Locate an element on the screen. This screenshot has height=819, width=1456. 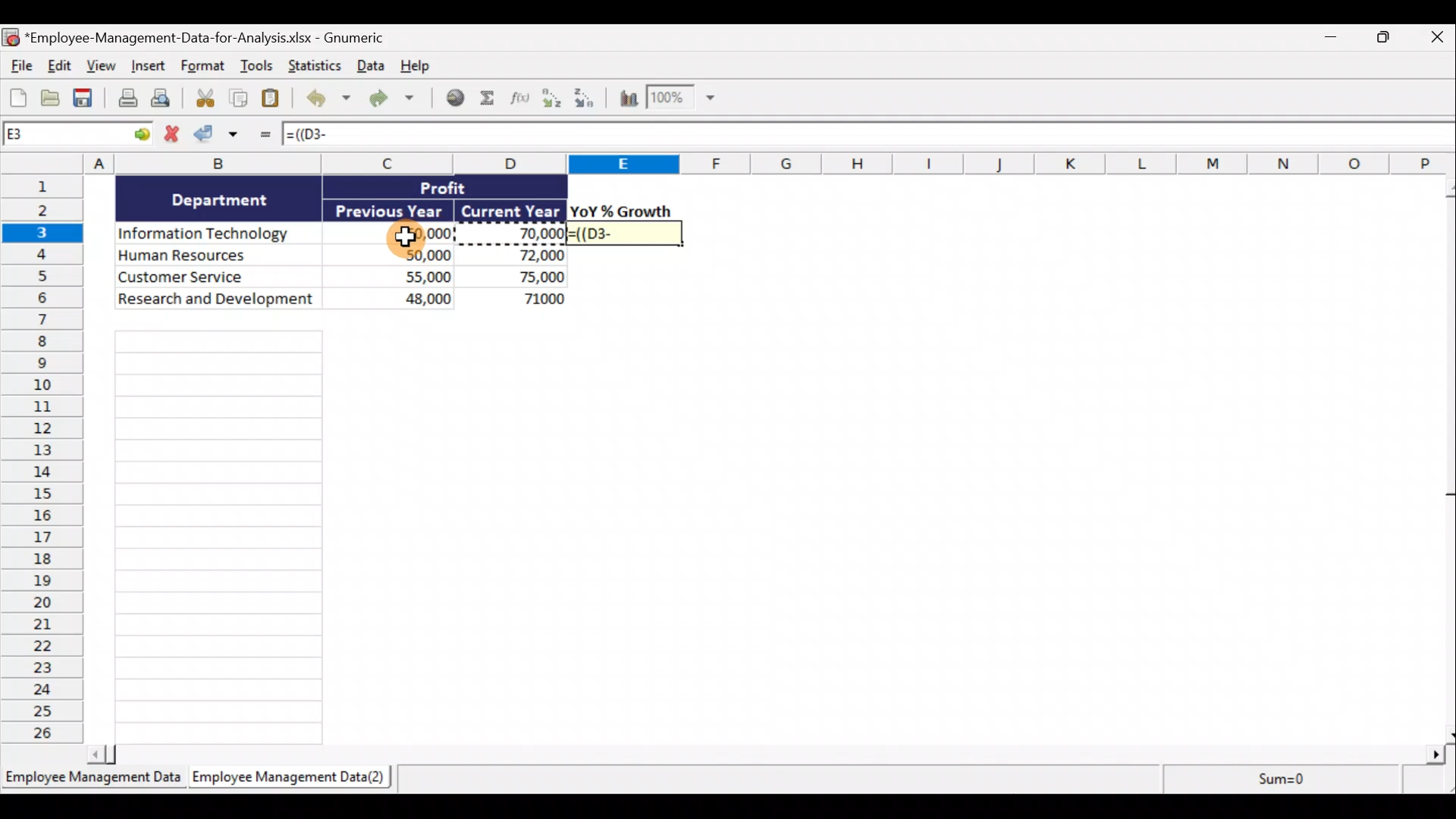
Create a new workbook is located at coordinates (18, 96).